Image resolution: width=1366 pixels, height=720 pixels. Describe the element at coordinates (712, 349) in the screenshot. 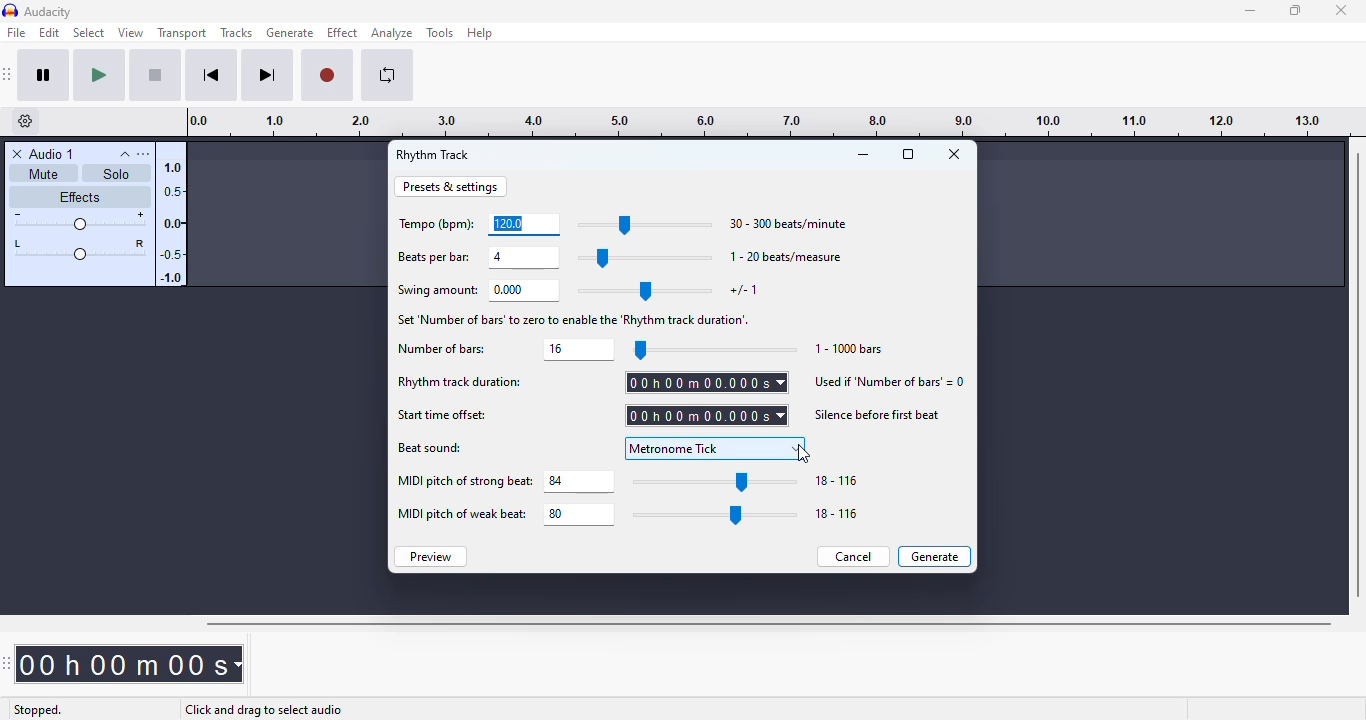

I see `slider` at that location.